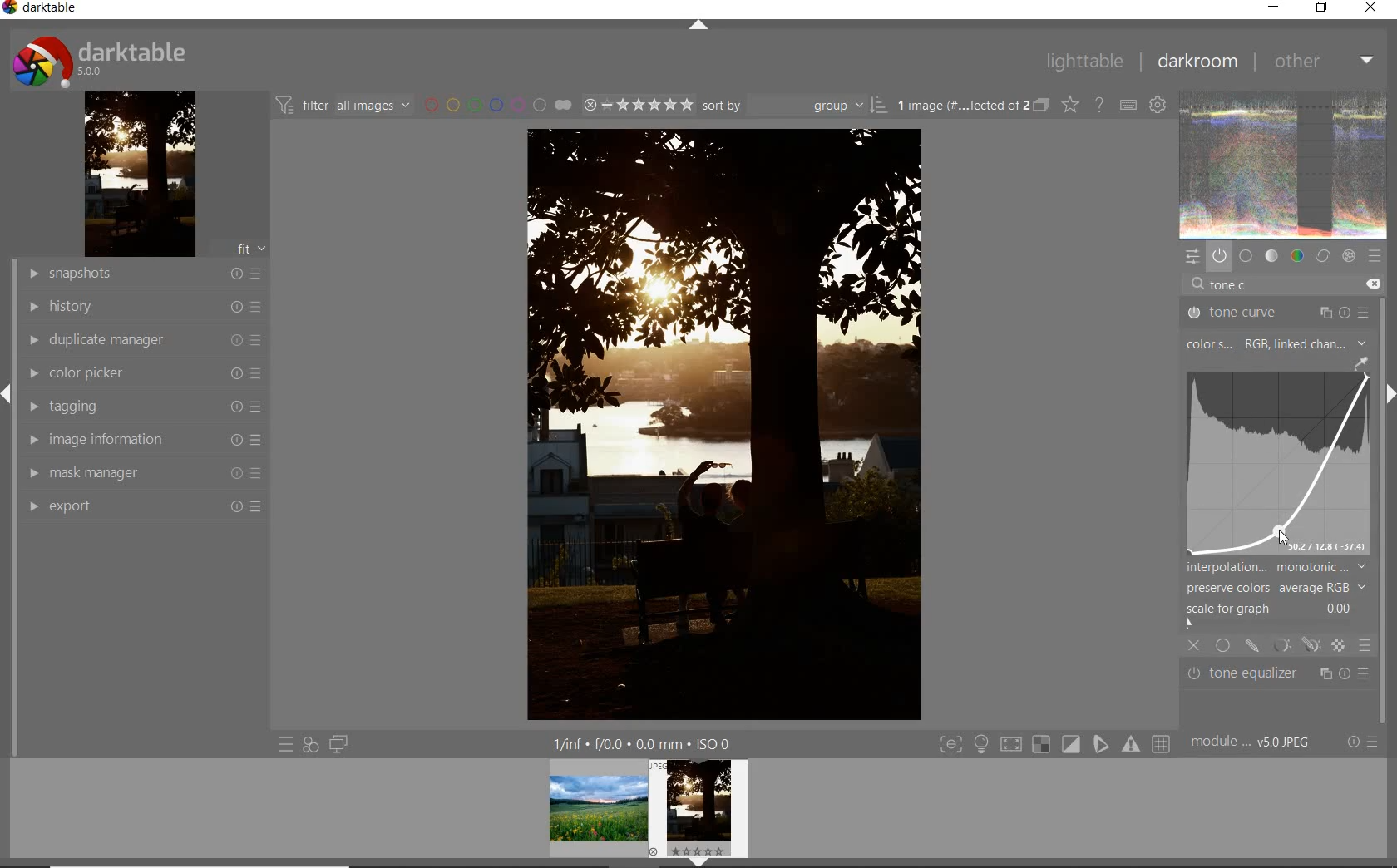  What do you see at coordinates (1348, 256) in the screenshot?
I see `effect` at bounding box center [1348, 256].